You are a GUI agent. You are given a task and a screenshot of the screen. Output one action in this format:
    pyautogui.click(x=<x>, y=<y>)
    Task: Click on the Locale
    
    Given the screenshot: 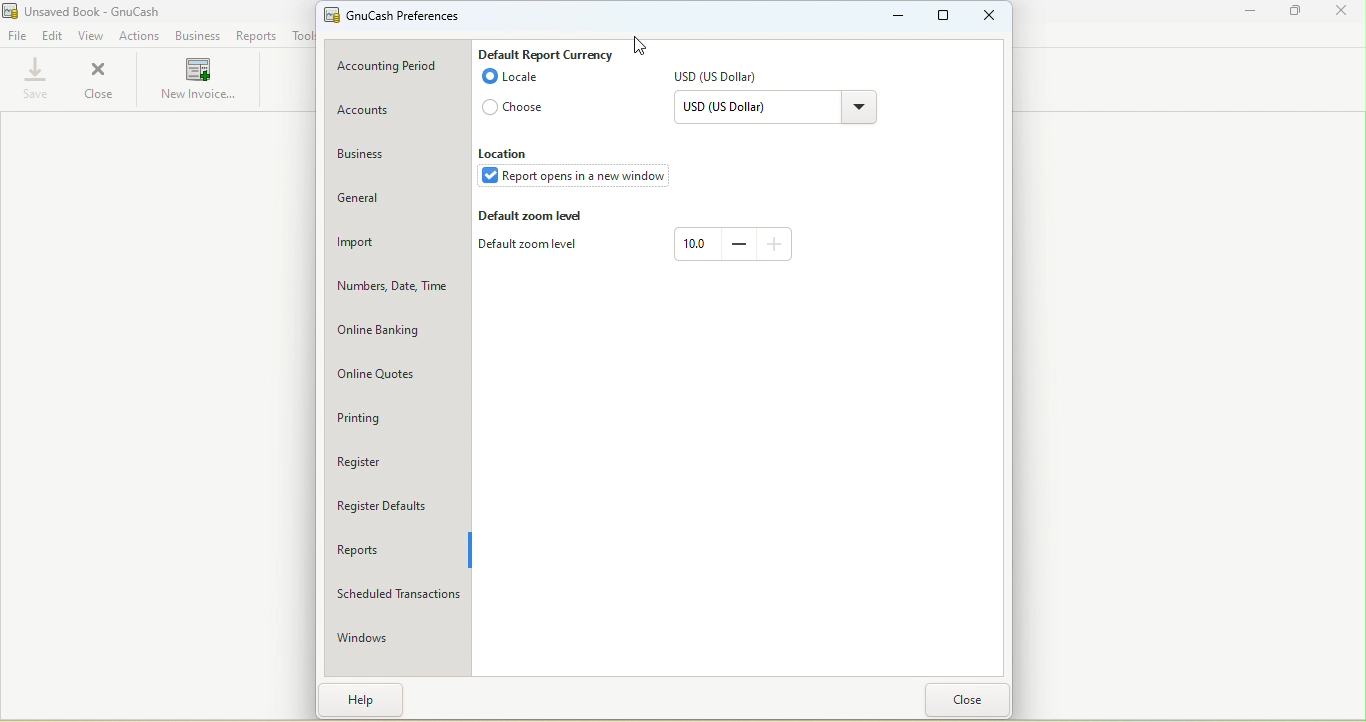 What is the action you would take?
    pyautogui.click(x=510, y=80)
    